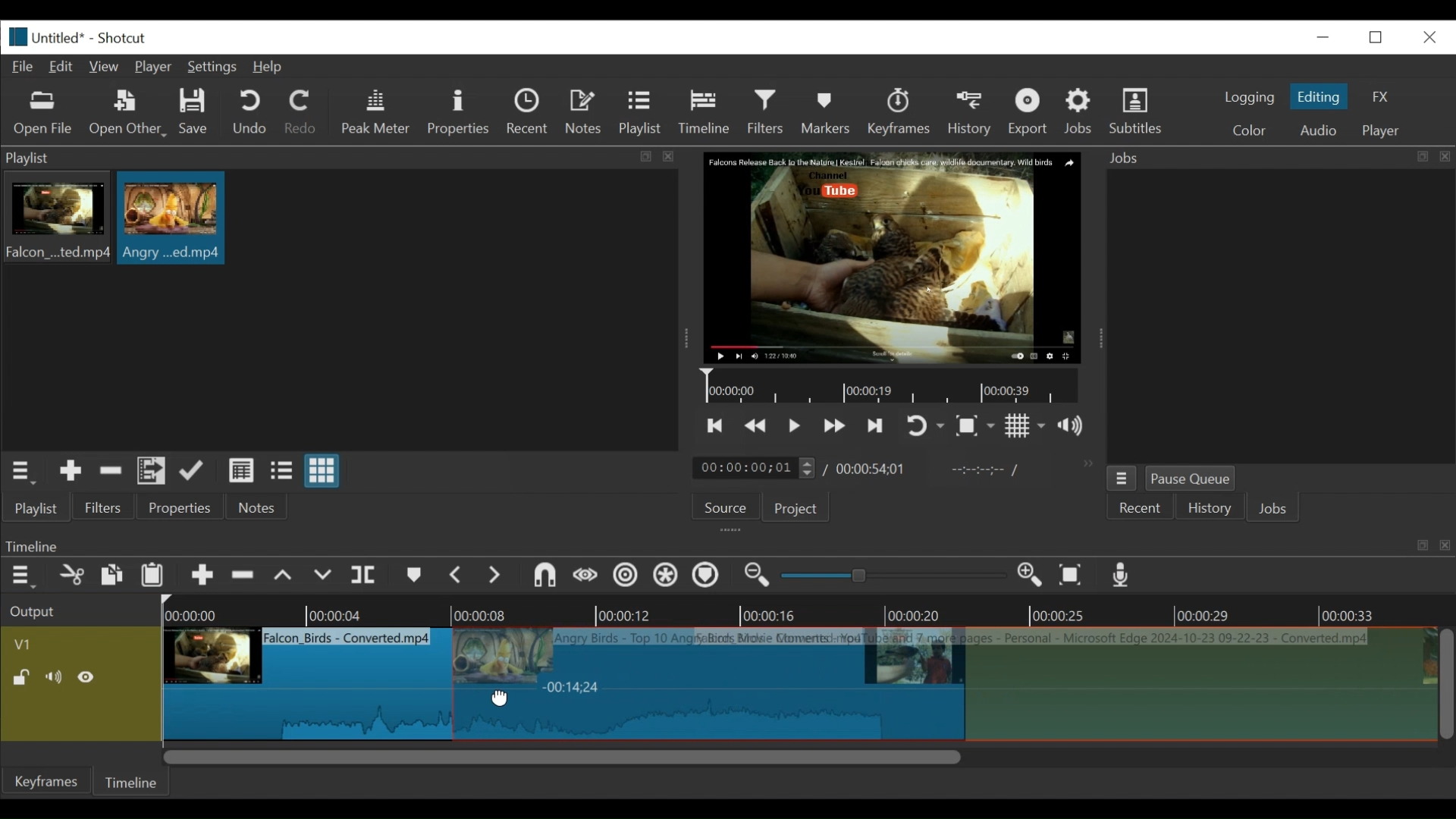 This screenshot has width=1456, height=819. What do you see at coordinates (157, 68) in the screenshot?
I see `Player` at bounding box center [157, 68].